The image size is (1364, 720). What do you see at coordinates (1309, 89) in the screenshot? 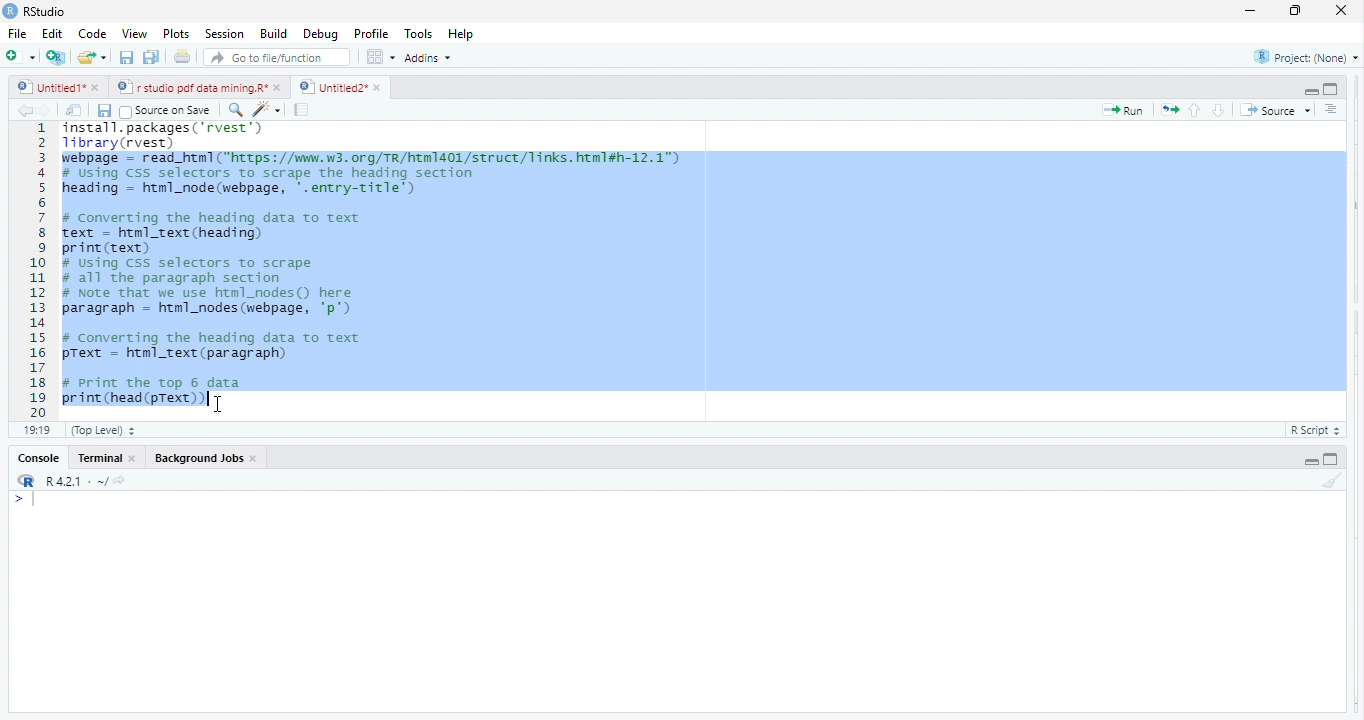
I see `hide r script` at bounding box center [1309, 89].